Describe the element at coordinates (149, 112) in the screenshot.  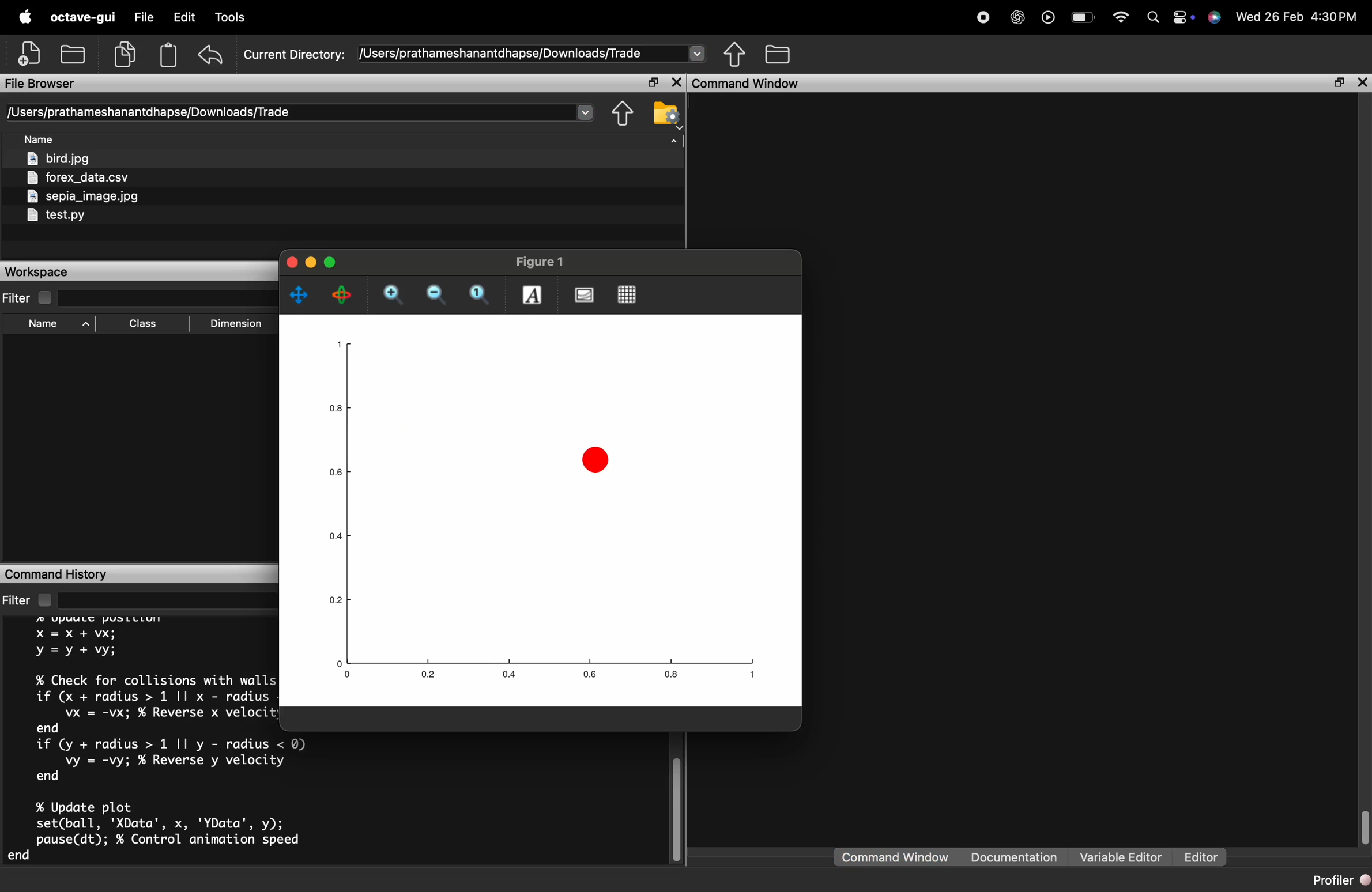
I see `/Users/prathameshanantdhapse/Downloads/Trade` at that location.